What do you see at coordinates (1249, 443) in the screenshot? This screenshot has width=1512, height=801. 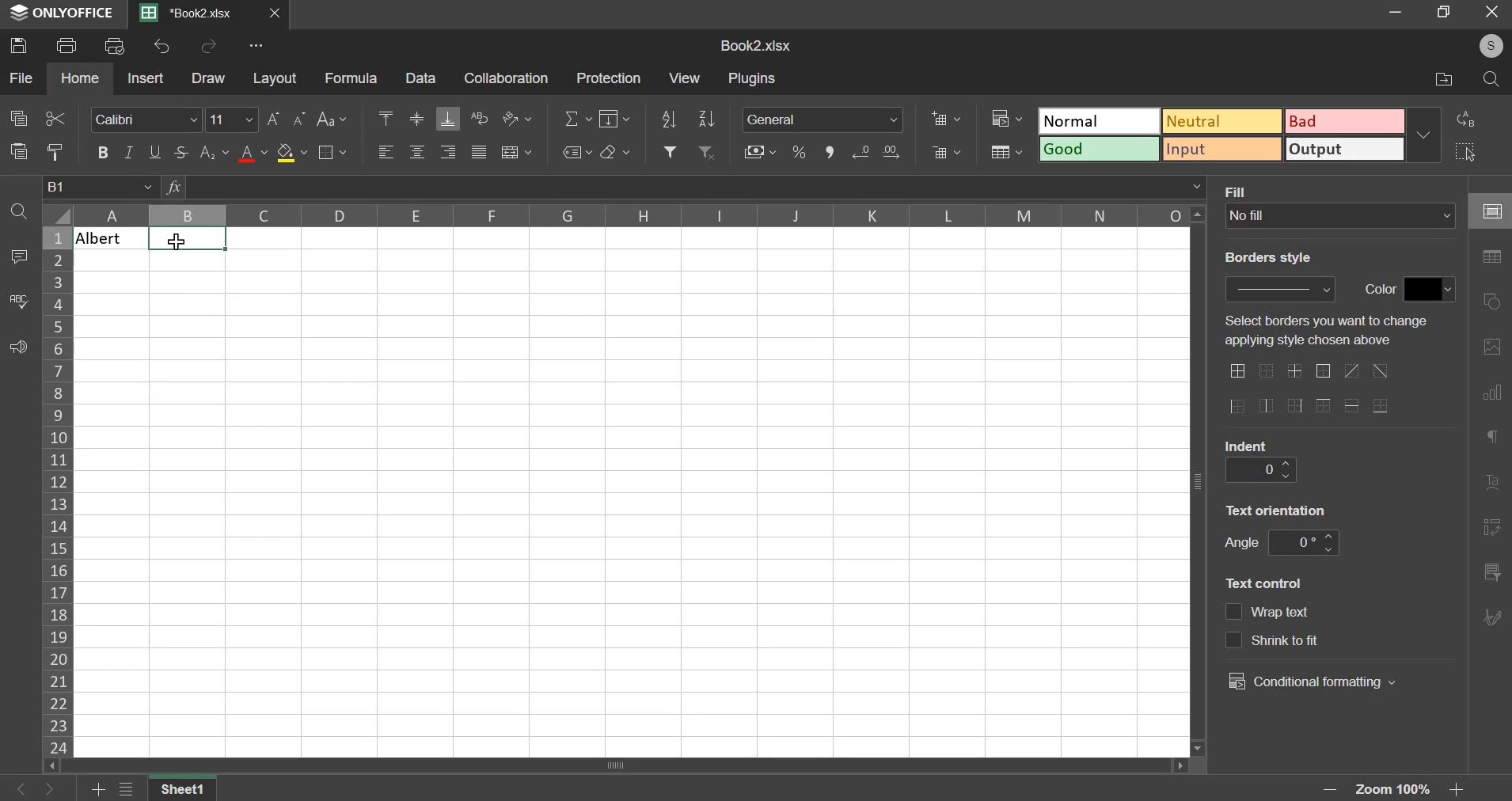 I see `text` at bounding box center [1249, 443].